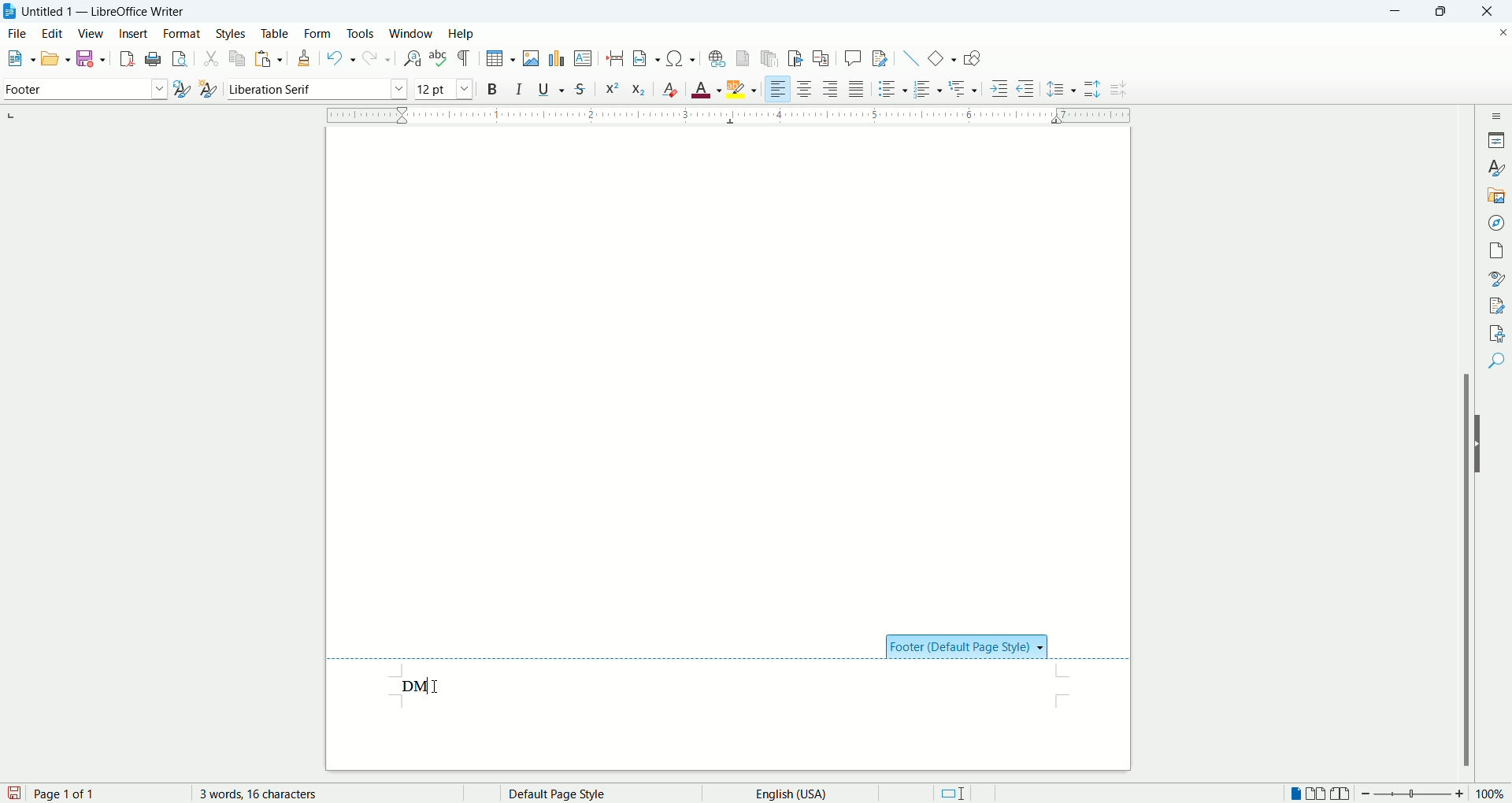  Describe the element at coordinates (411, 58) in the screenshot. I see `find and replace` at that location.